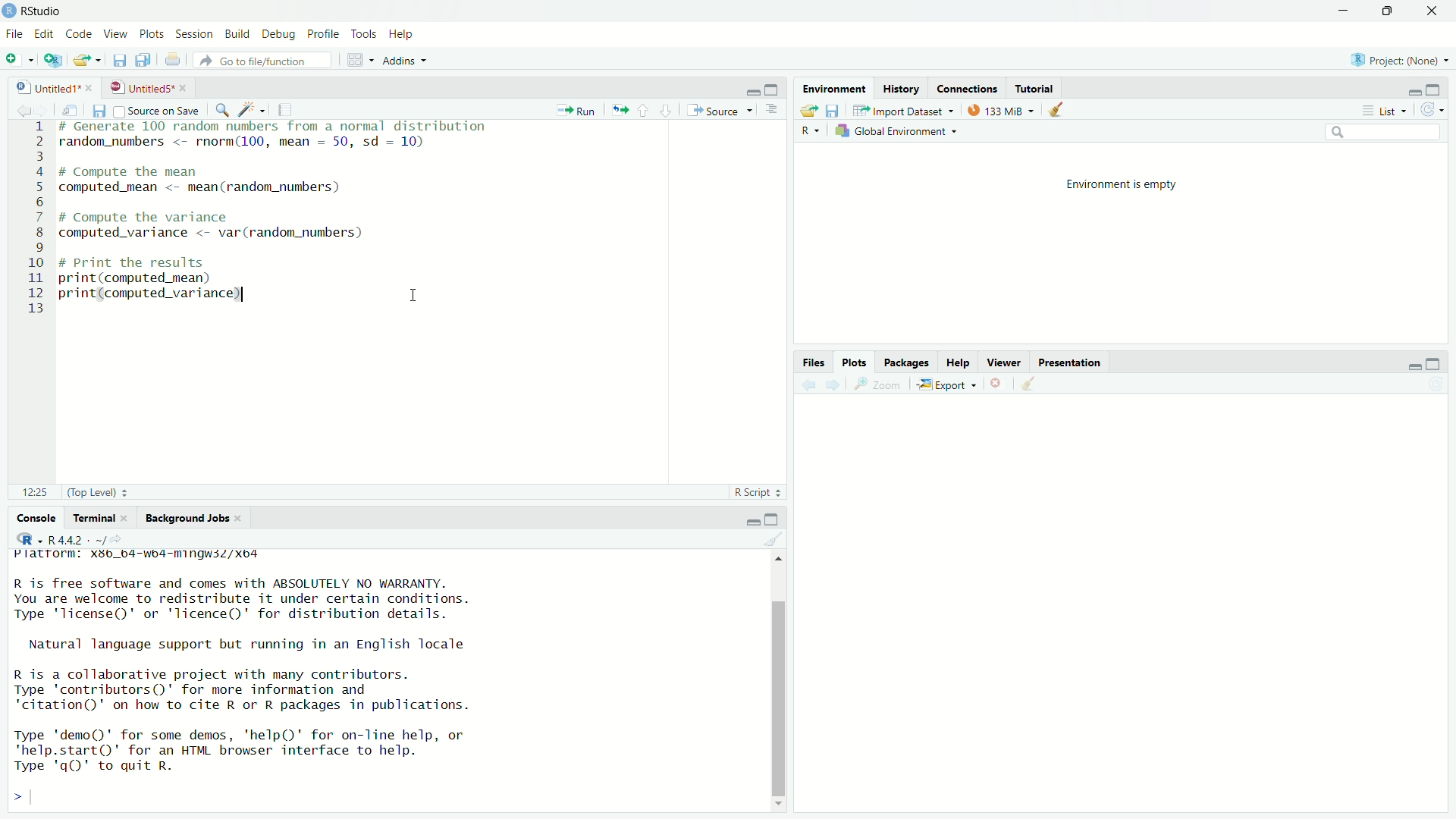  I want to click on close, so click(185, 87).